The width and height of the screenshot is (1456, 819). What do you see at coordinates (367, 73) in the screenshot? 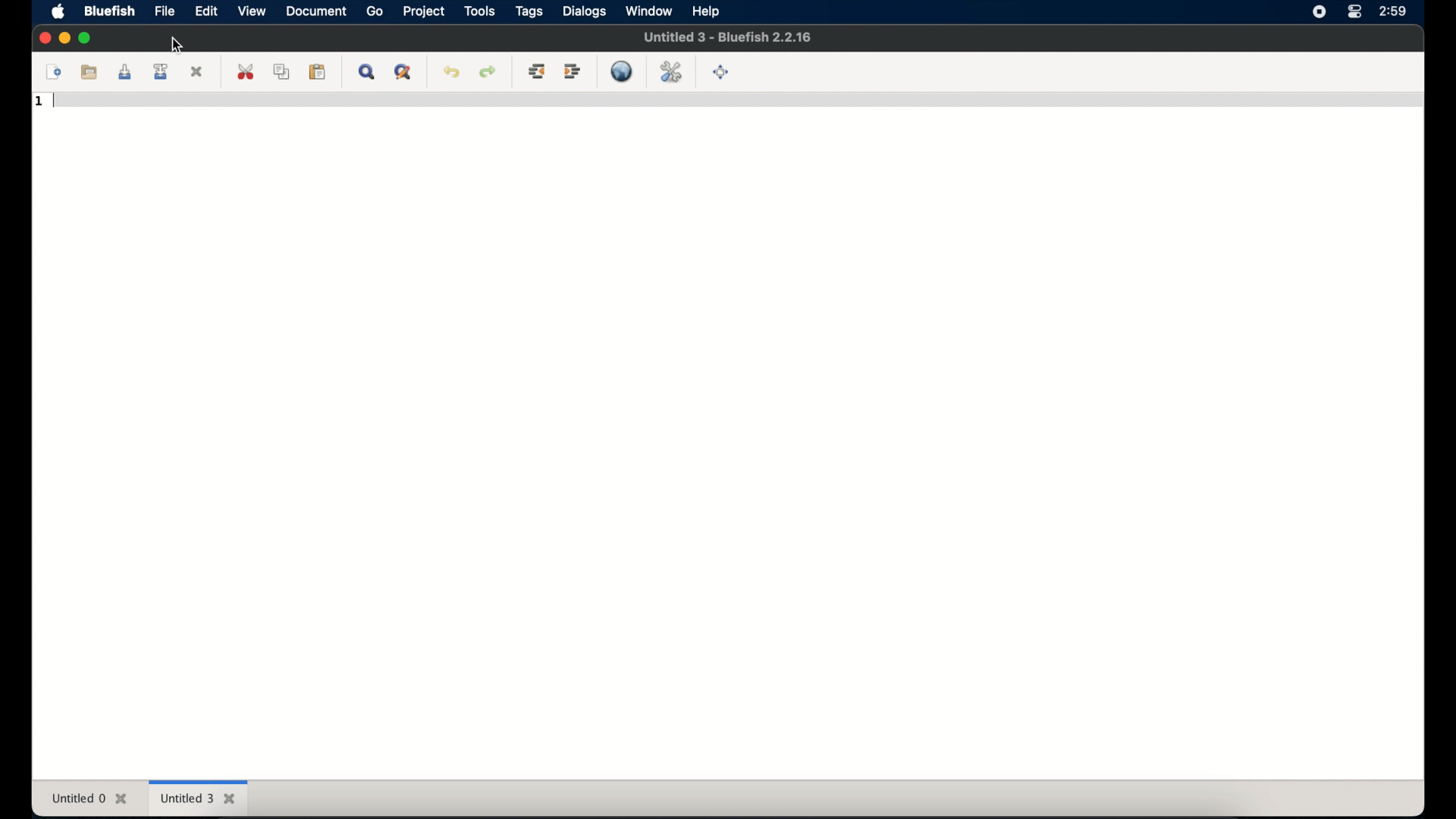
I see `show find bar` at bounding box center [367, 73].